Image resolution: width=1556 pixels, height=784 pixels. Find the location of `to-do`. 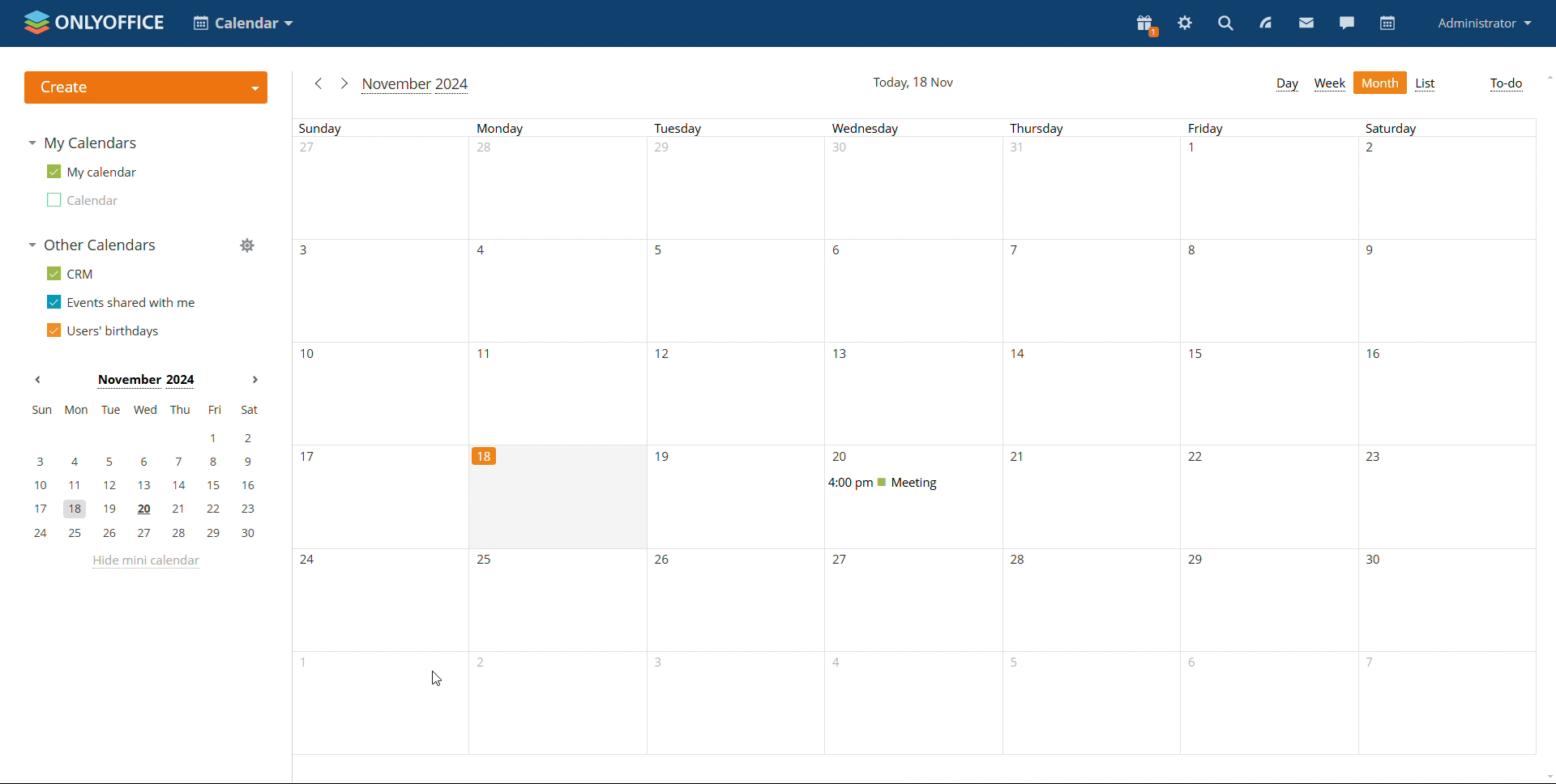

to-do is located at coordinates (1505, 85).